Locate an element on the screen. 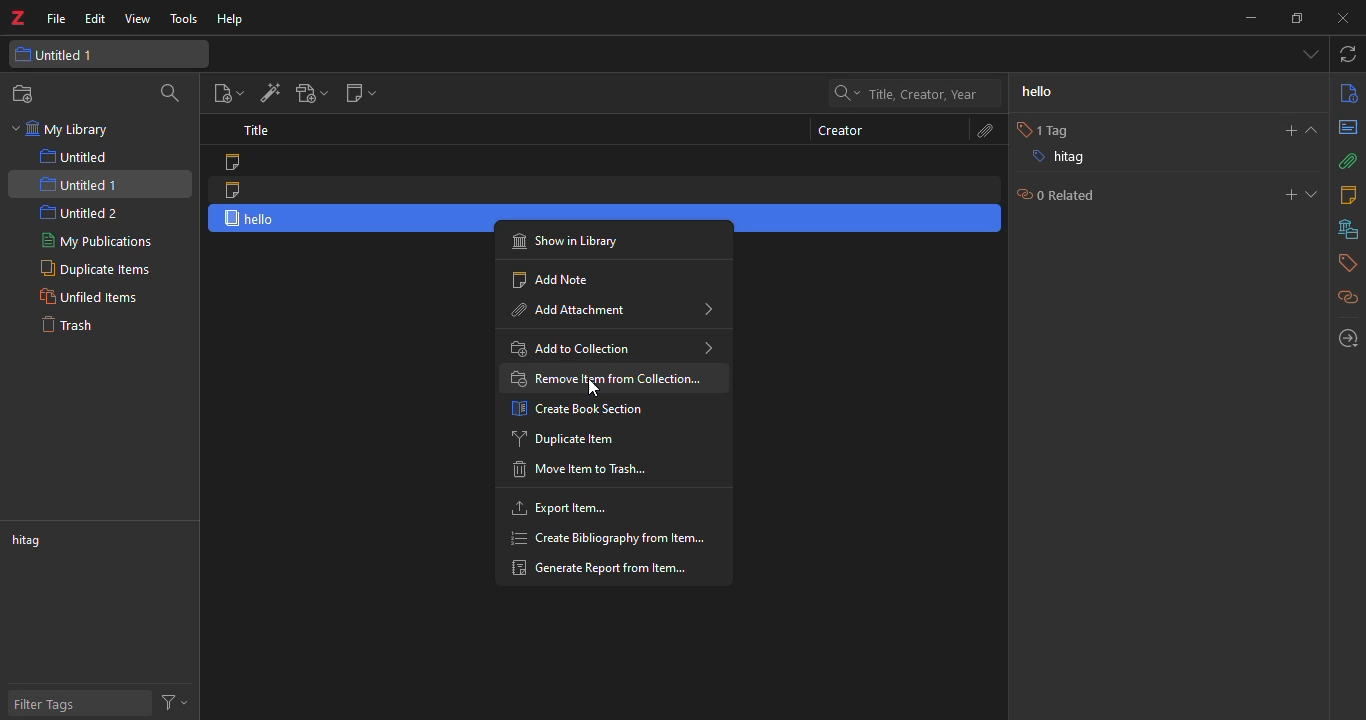  add attachment is located at coordinates (611, 310).